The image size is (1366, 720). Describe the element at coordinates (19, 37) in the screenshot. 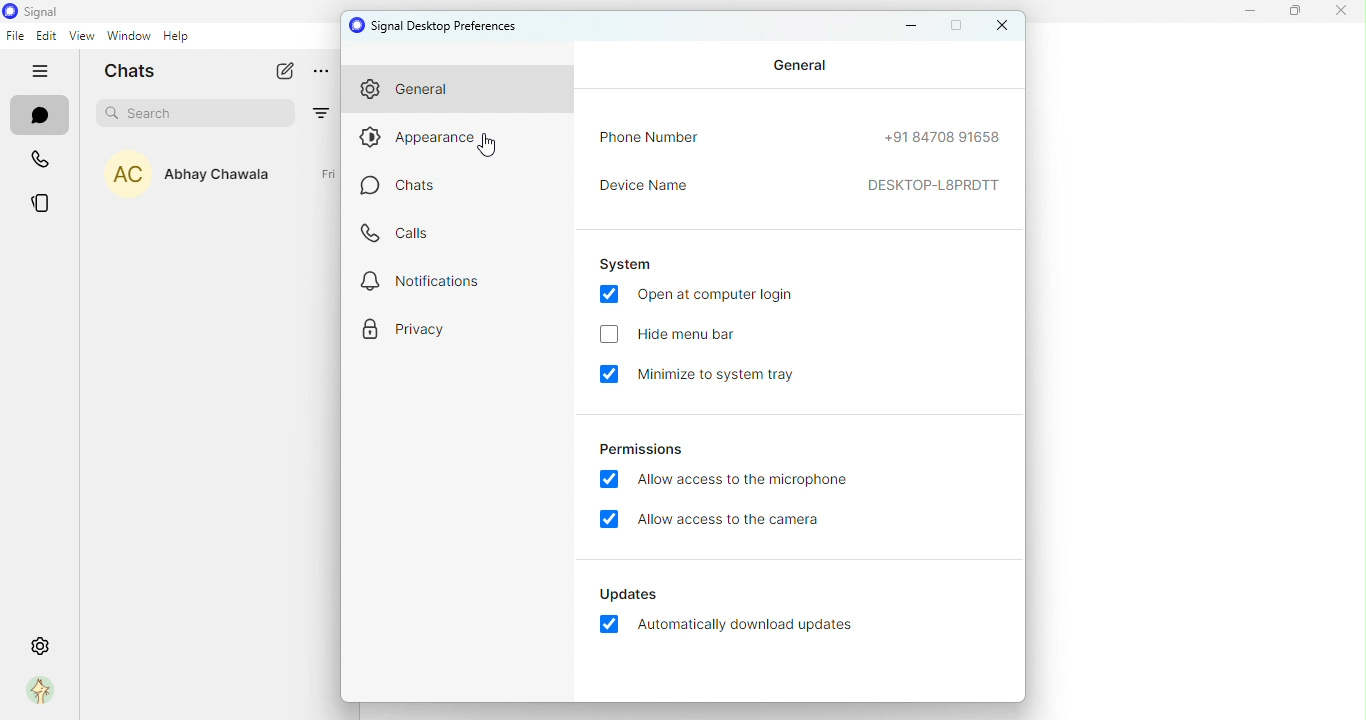

I see `file` at that location.